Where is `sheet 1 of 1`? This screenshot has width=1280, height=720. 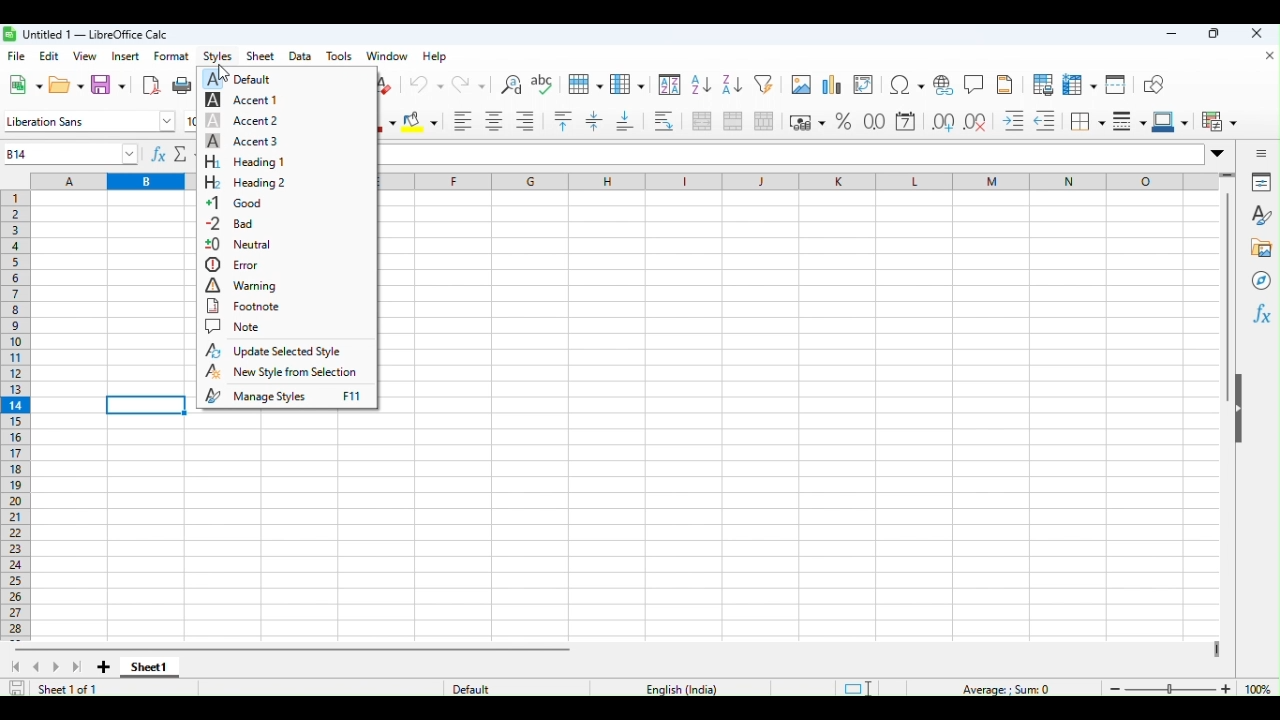 sheet 1 of 1 is located at coordinates (62, 689).